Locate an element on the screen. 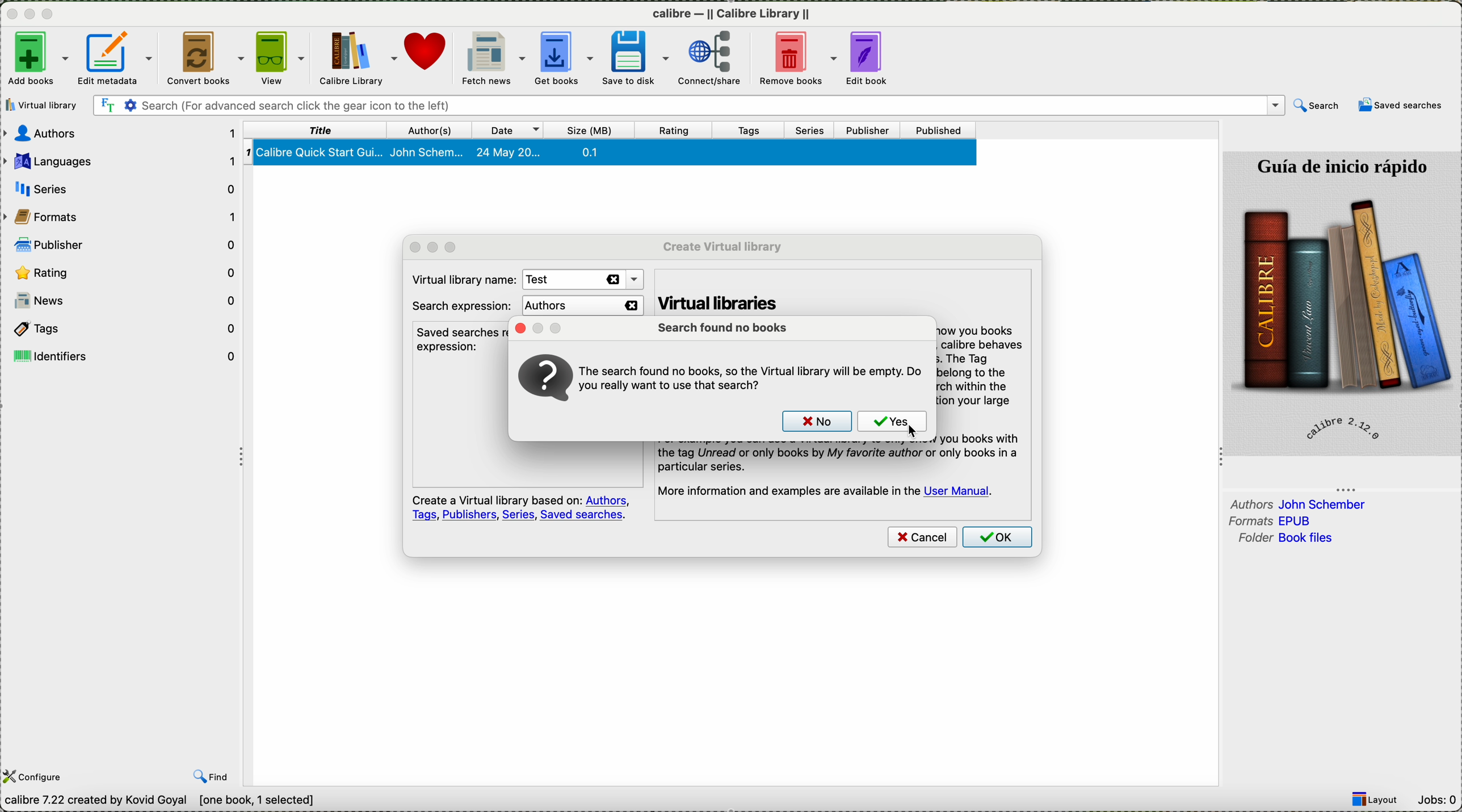 The image size is (1462, 812). authors is located at coordinates (433, 130).